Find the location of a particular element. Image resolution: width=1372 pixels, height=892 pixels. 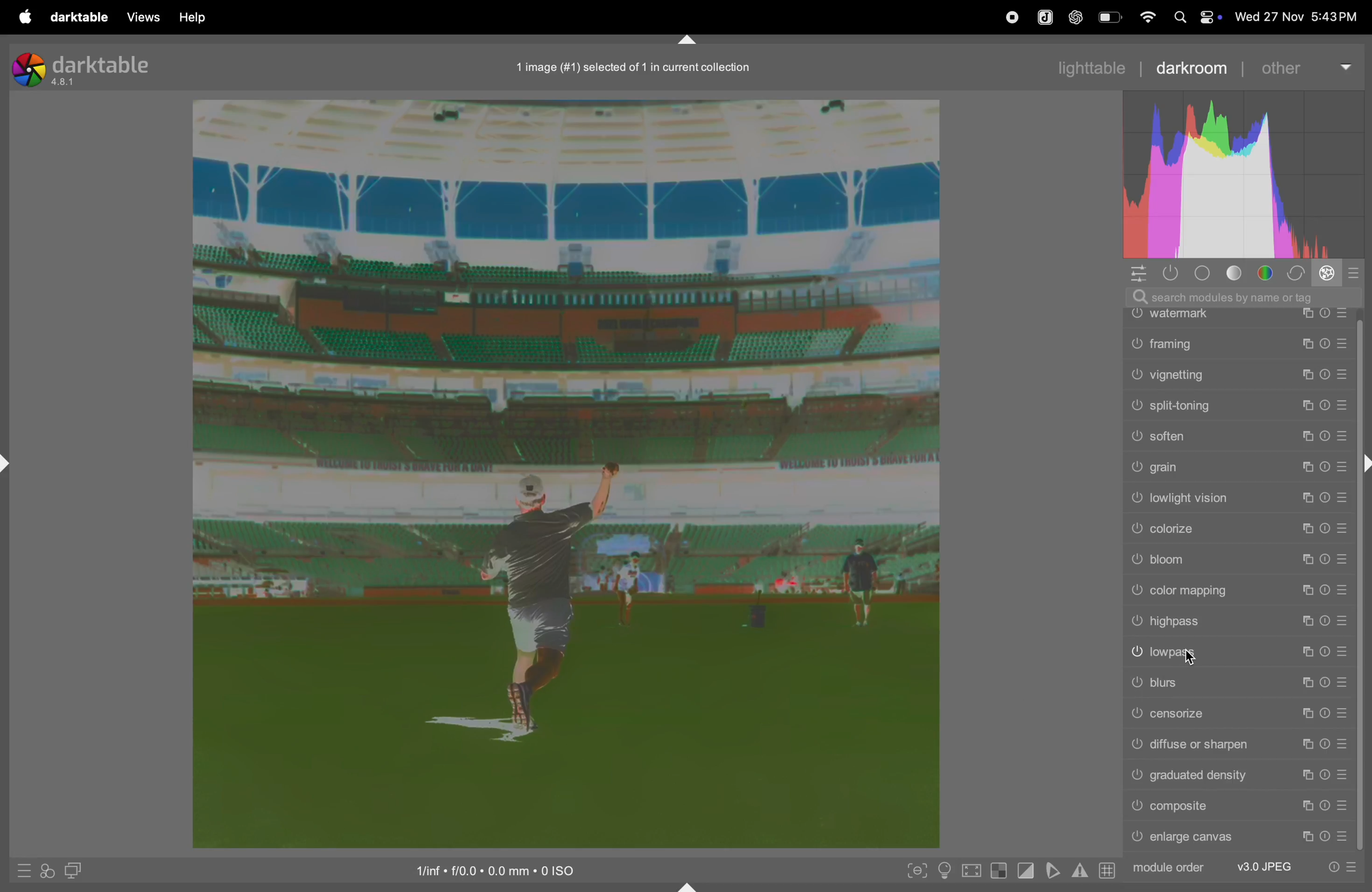

grain is located at coordinates (1240, 467).